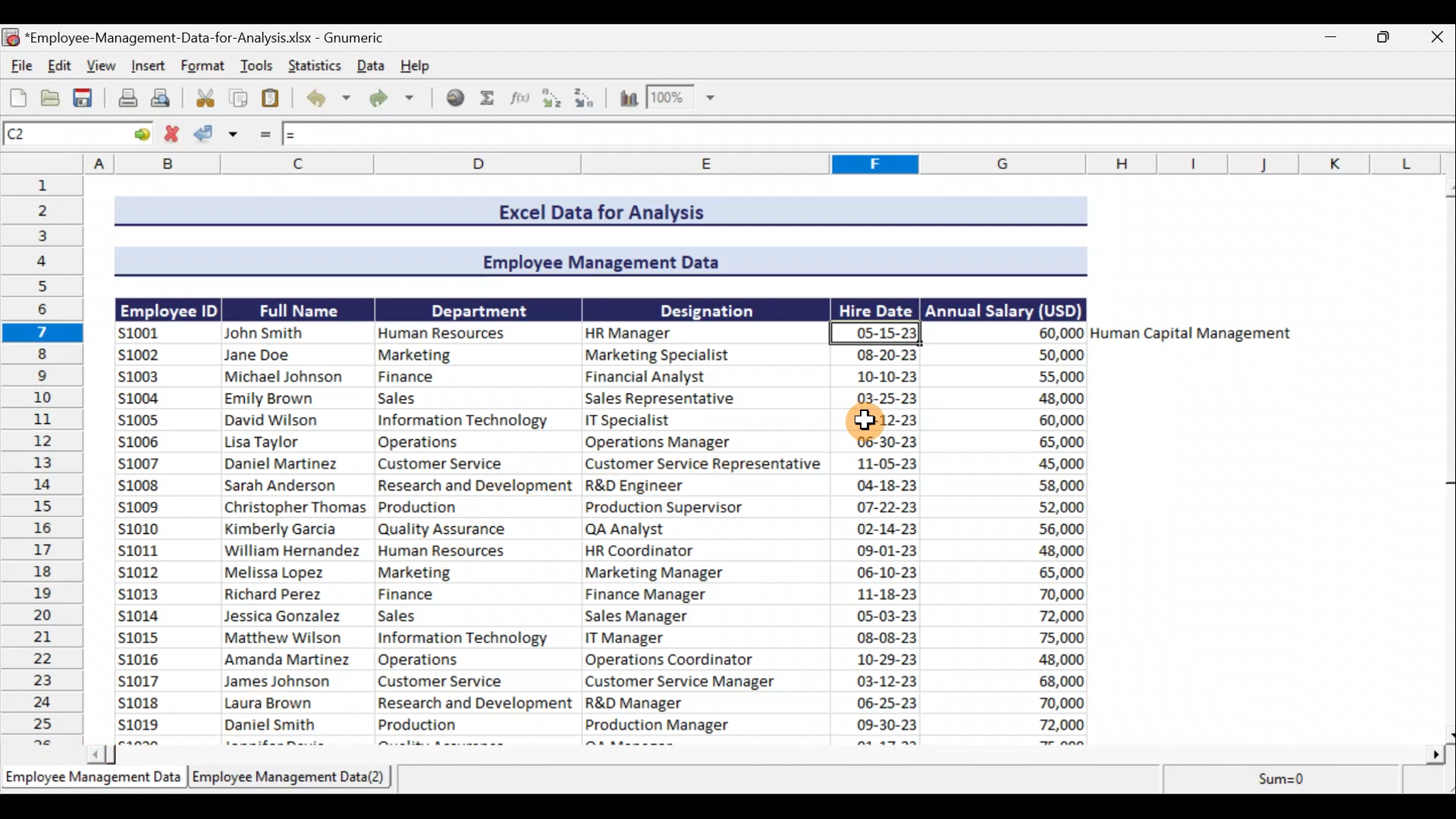 The image size is (1456, 819). I want to click on Edit, so click(58, 65).